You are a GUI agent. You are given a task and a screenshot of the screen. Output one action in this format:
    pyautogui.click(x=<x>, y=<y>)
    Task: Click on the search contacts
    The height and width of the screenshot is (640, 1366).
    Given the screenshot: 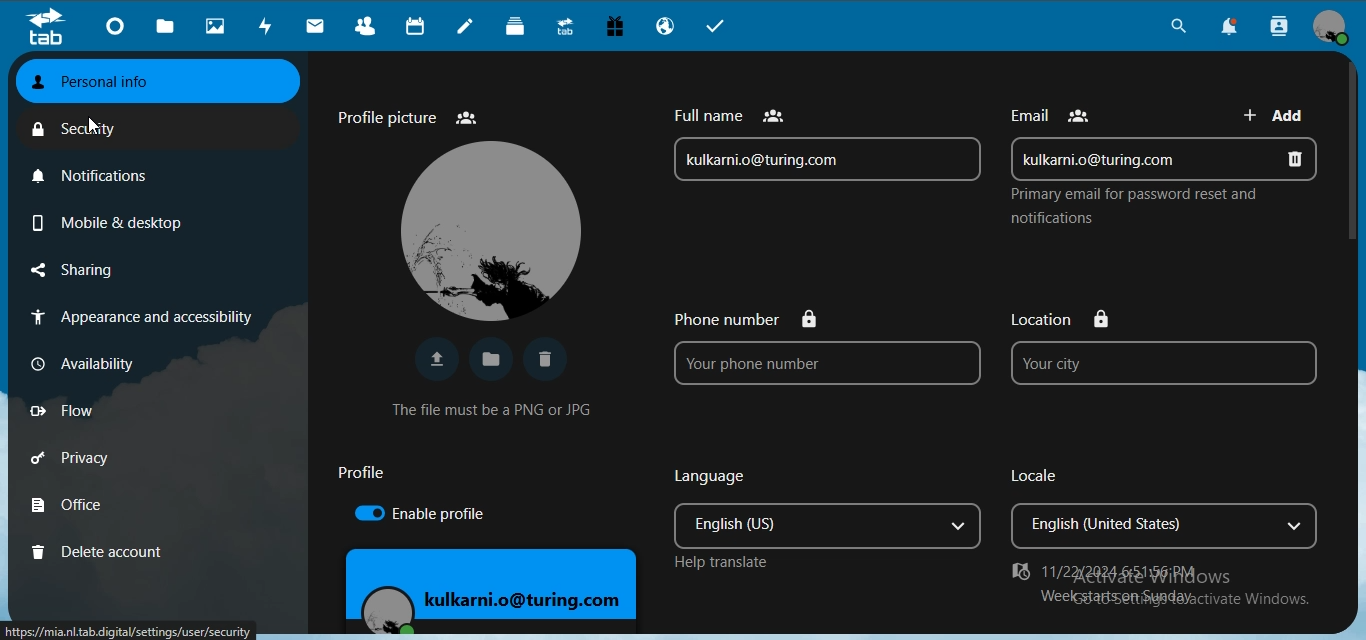 What is the action you would take?
    pyautogui.click(x=1280, y=27)
    